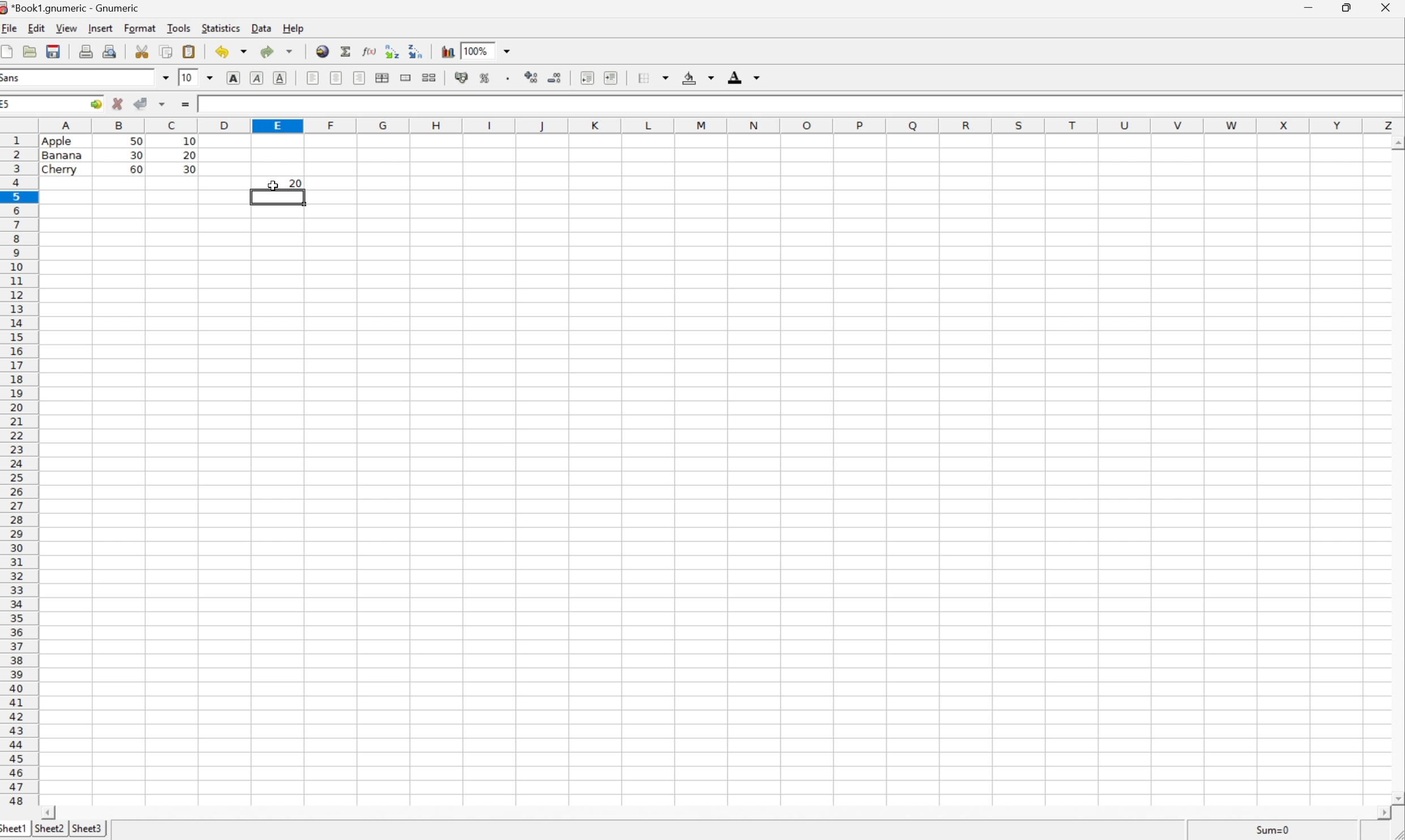  I want to click on tabular data, so click(119, 155).